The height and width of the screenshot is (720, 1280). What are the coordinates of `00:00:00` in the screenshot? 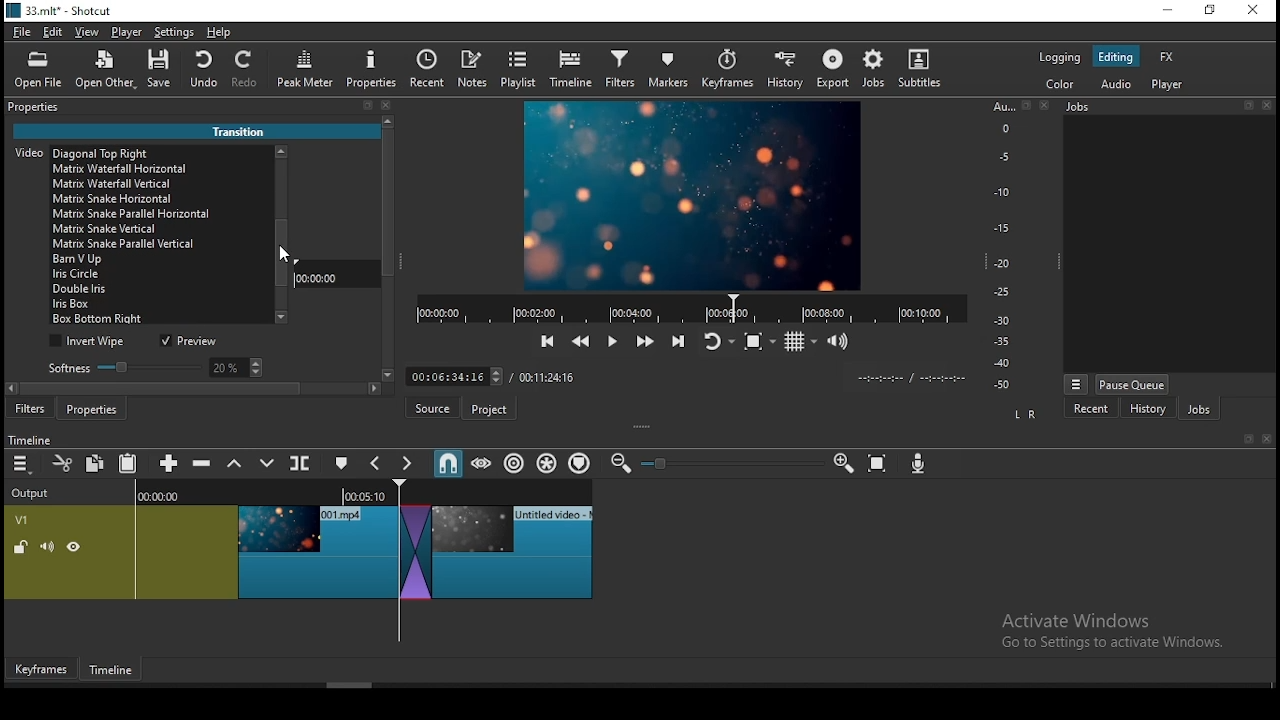 It's located at (321, 277).